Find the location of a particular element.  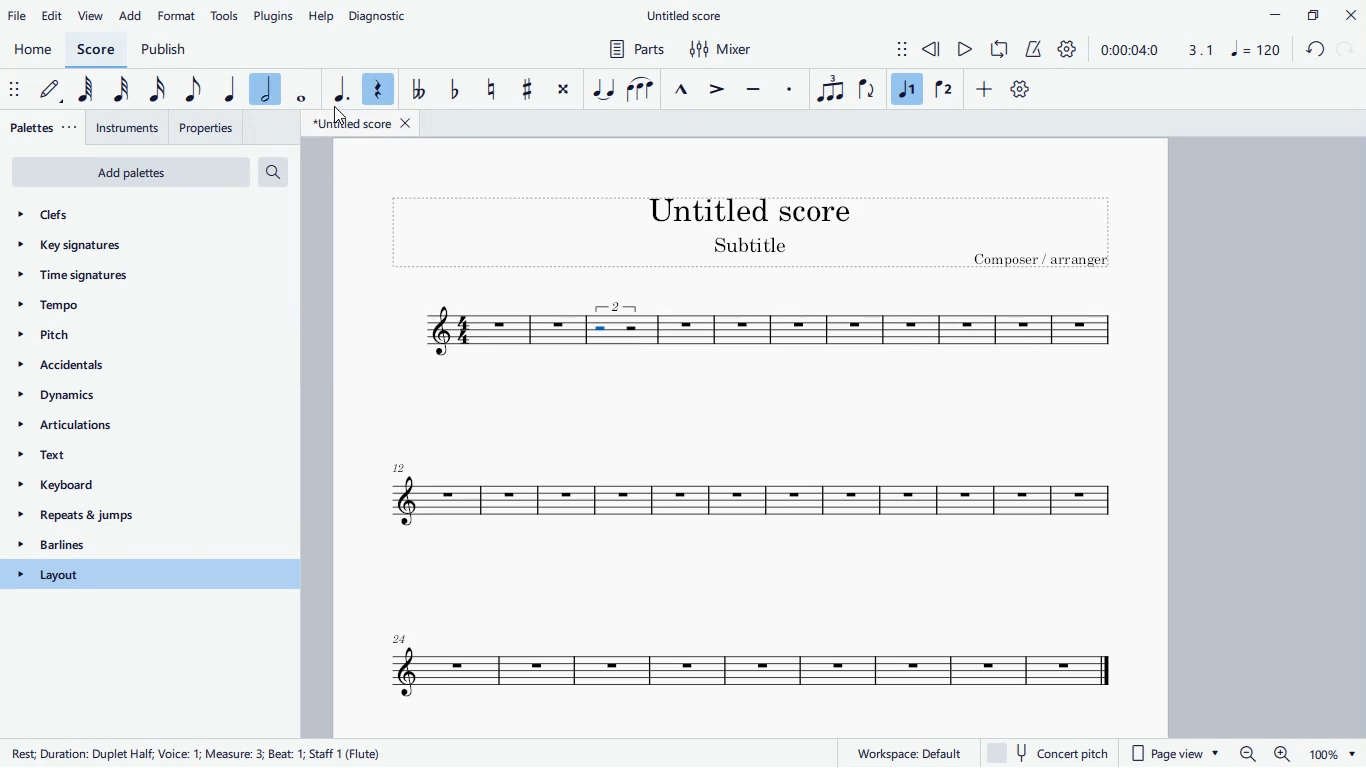

publish is located at coordinates (163, 48).